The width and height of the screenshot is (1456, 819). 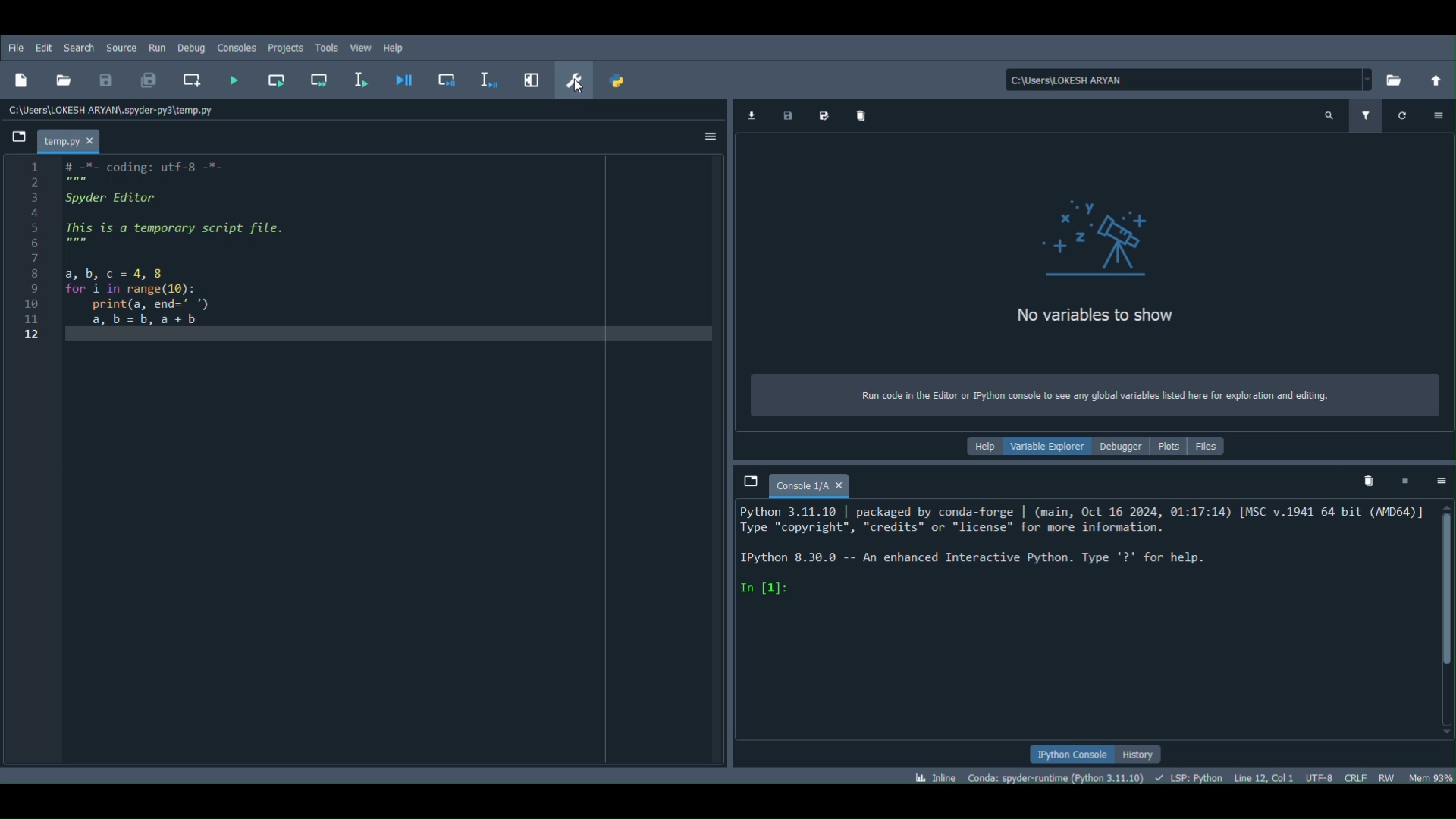 What do you see at coordinates (392, 48) in the screenshot?
I see `Help` at bounding box center [392, 48].